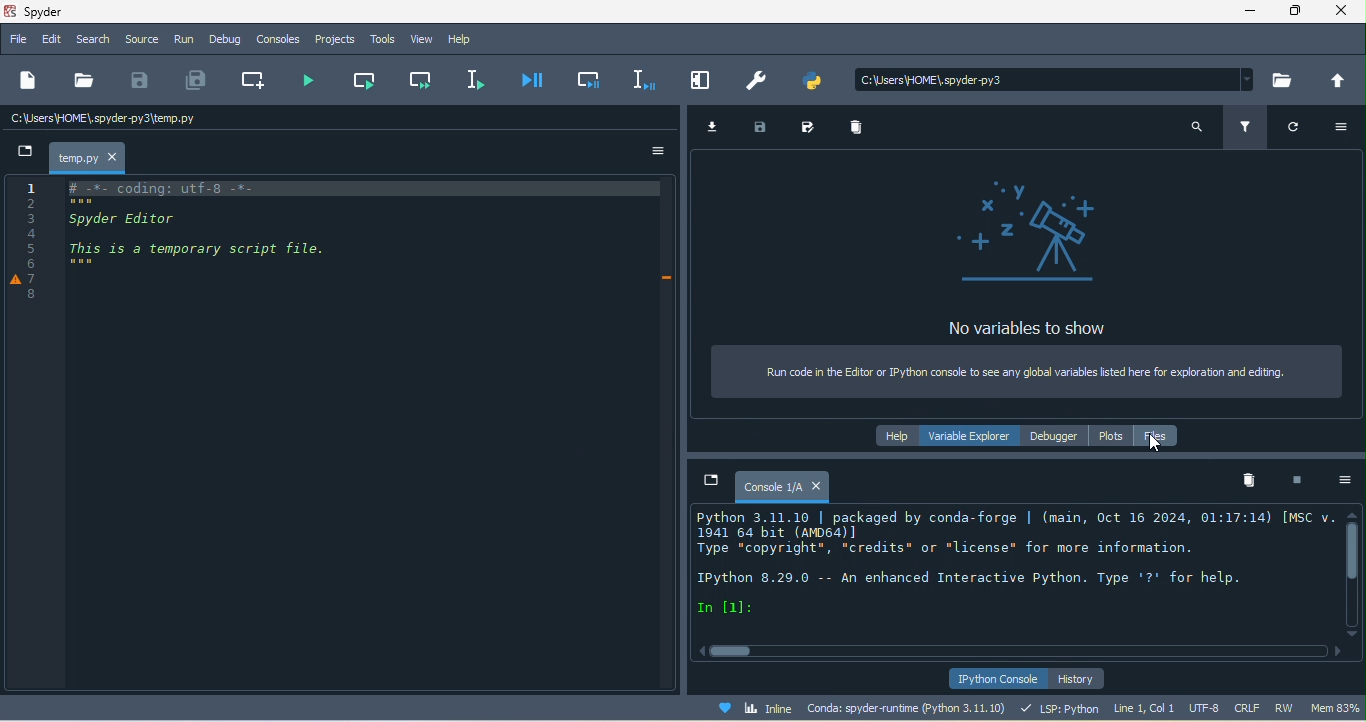 This screenshot has height=722, width=1366. What do you see at coordinates (363, 79) in the screenshot?
I see `run current cell` at bounding box center [363, 79].